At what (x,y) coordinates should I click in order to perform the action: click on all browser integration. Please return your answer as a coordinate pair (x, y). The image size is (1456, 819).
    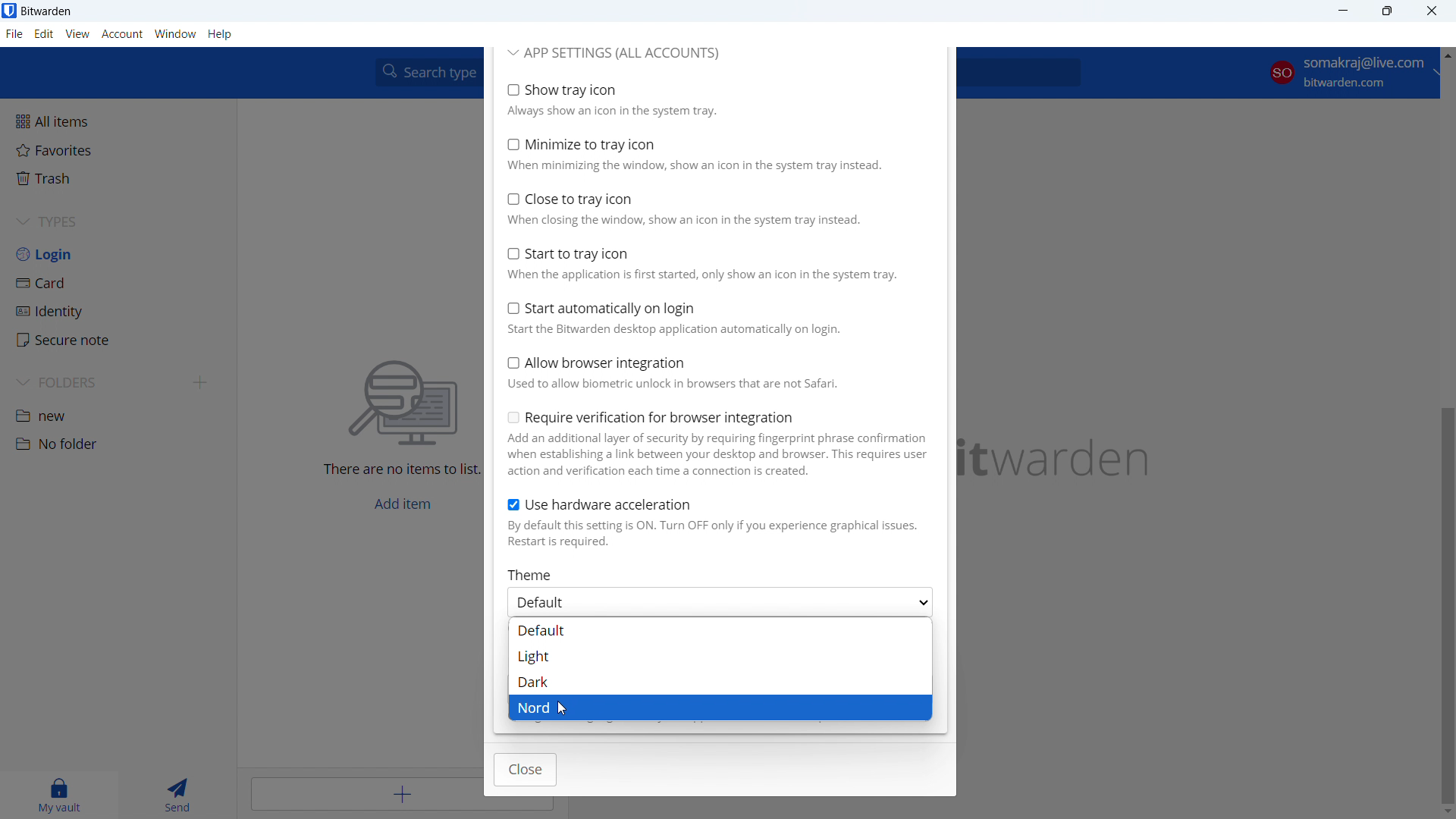
    Looking at the image, I should click on (716, 372).